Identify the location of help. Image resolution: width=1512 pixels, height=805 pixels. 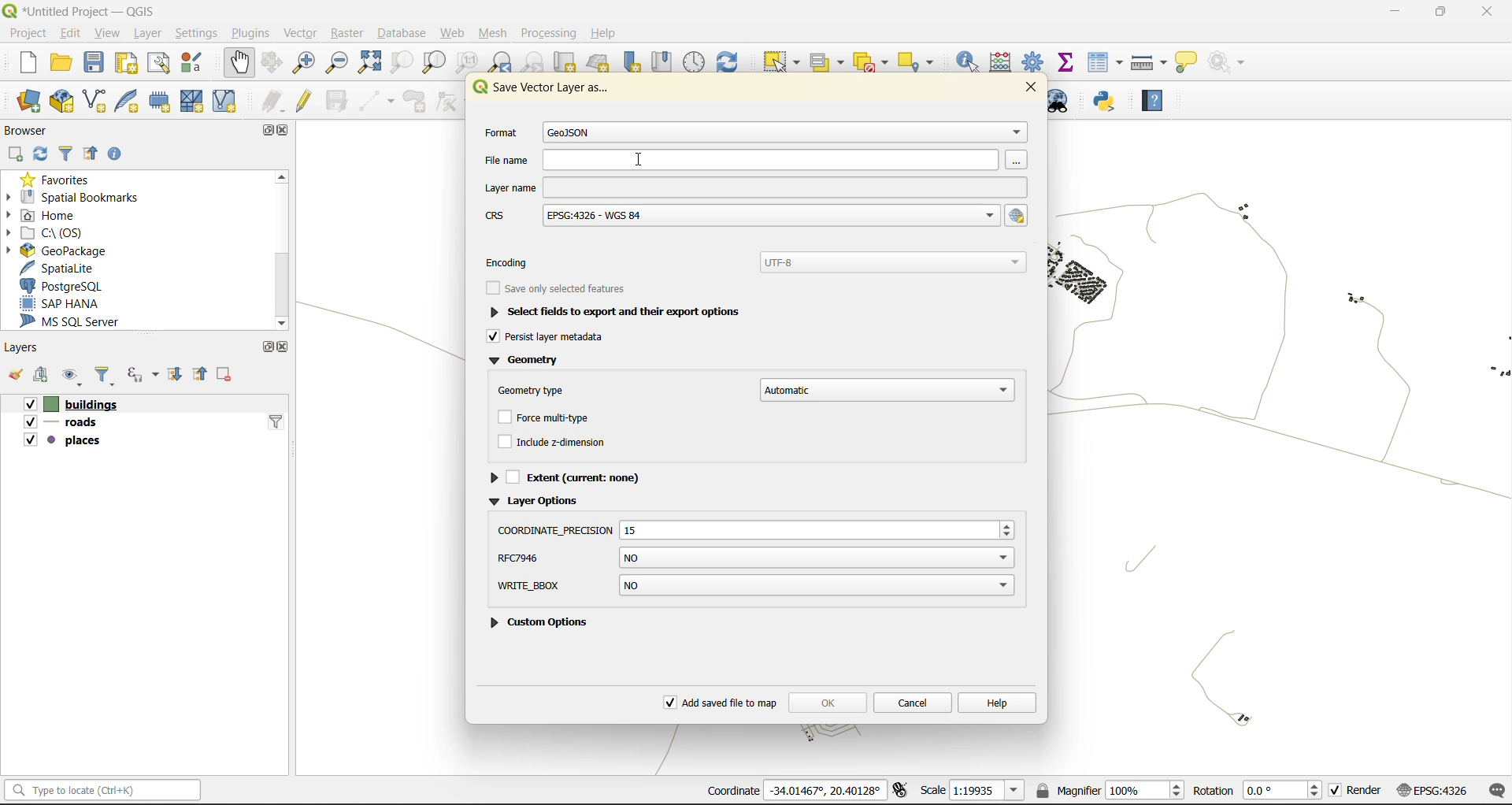
(1154, 101).